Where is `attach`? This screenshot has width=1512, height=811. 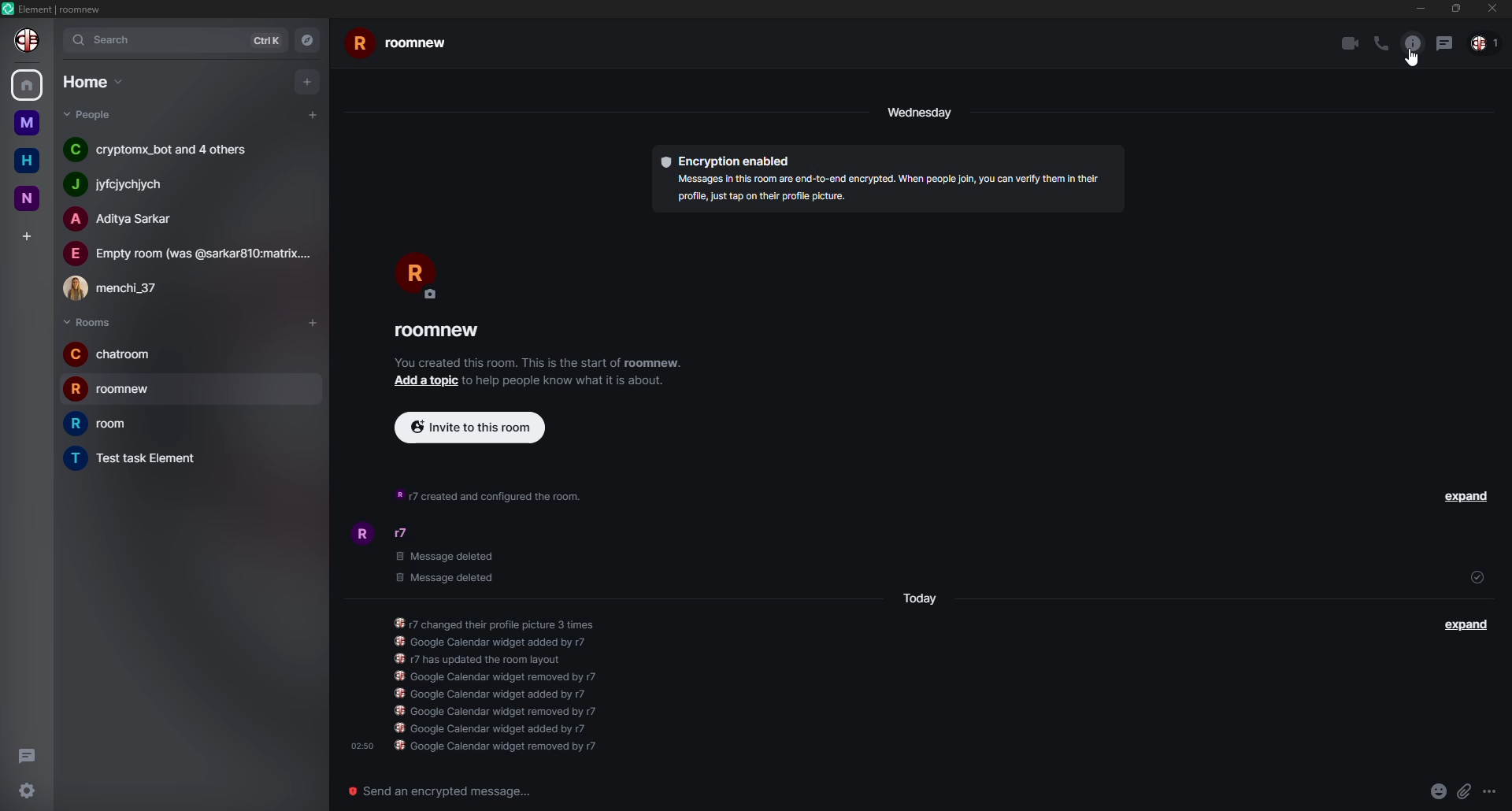
attach is located at coordinates (1462, 790).